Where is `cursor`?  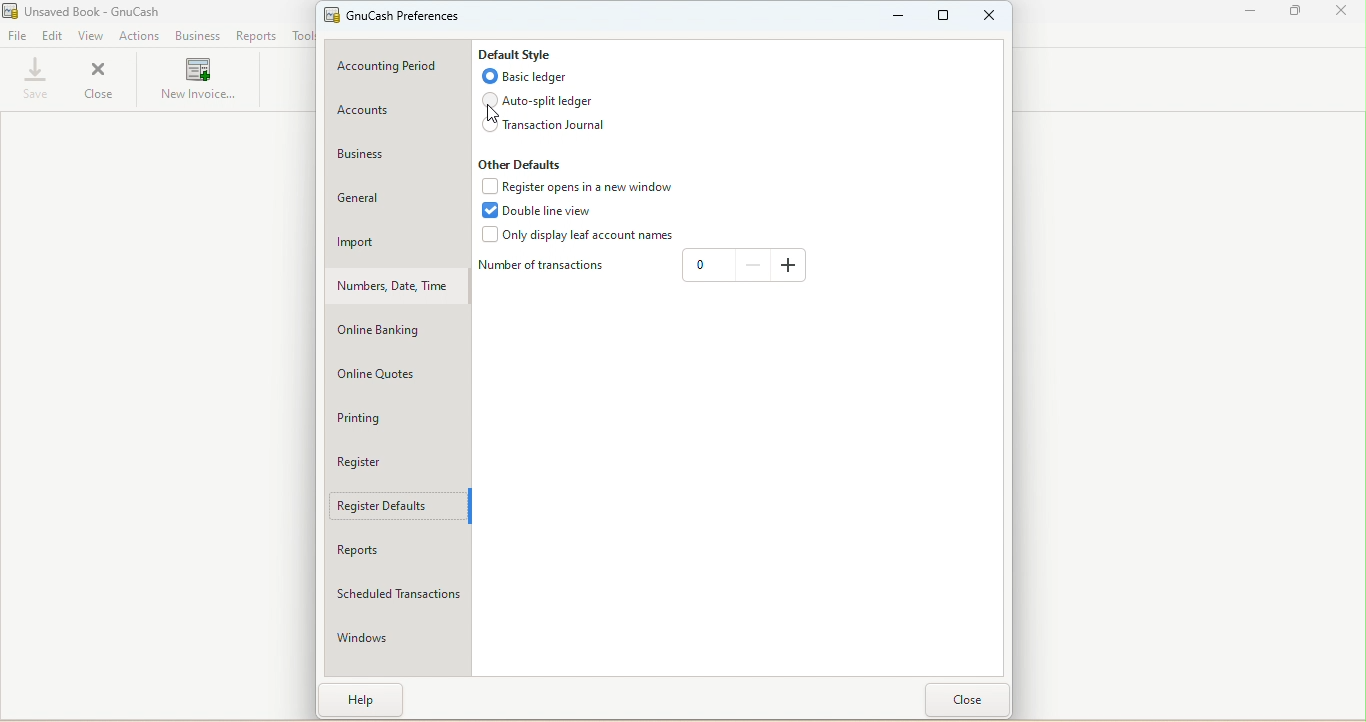
cursor is located at coordinates (488, 109).